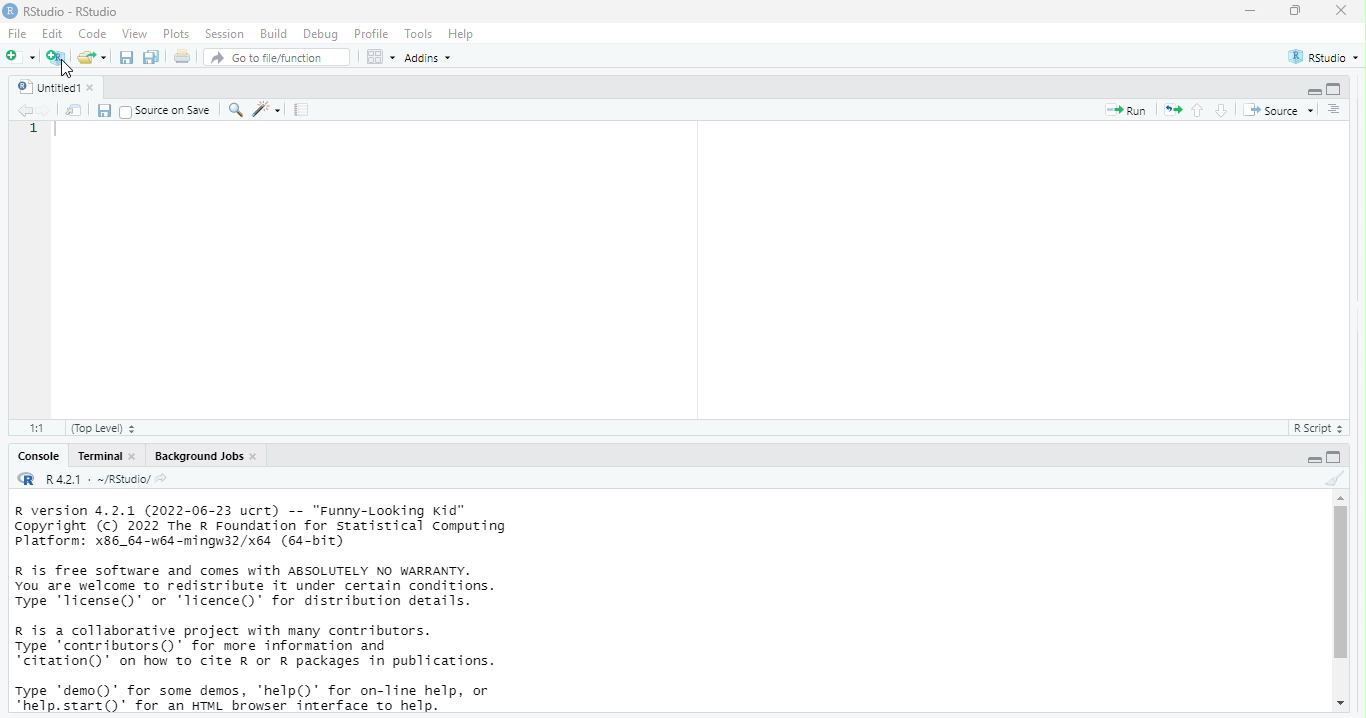  I want to click on save current document, so click(100, 109).